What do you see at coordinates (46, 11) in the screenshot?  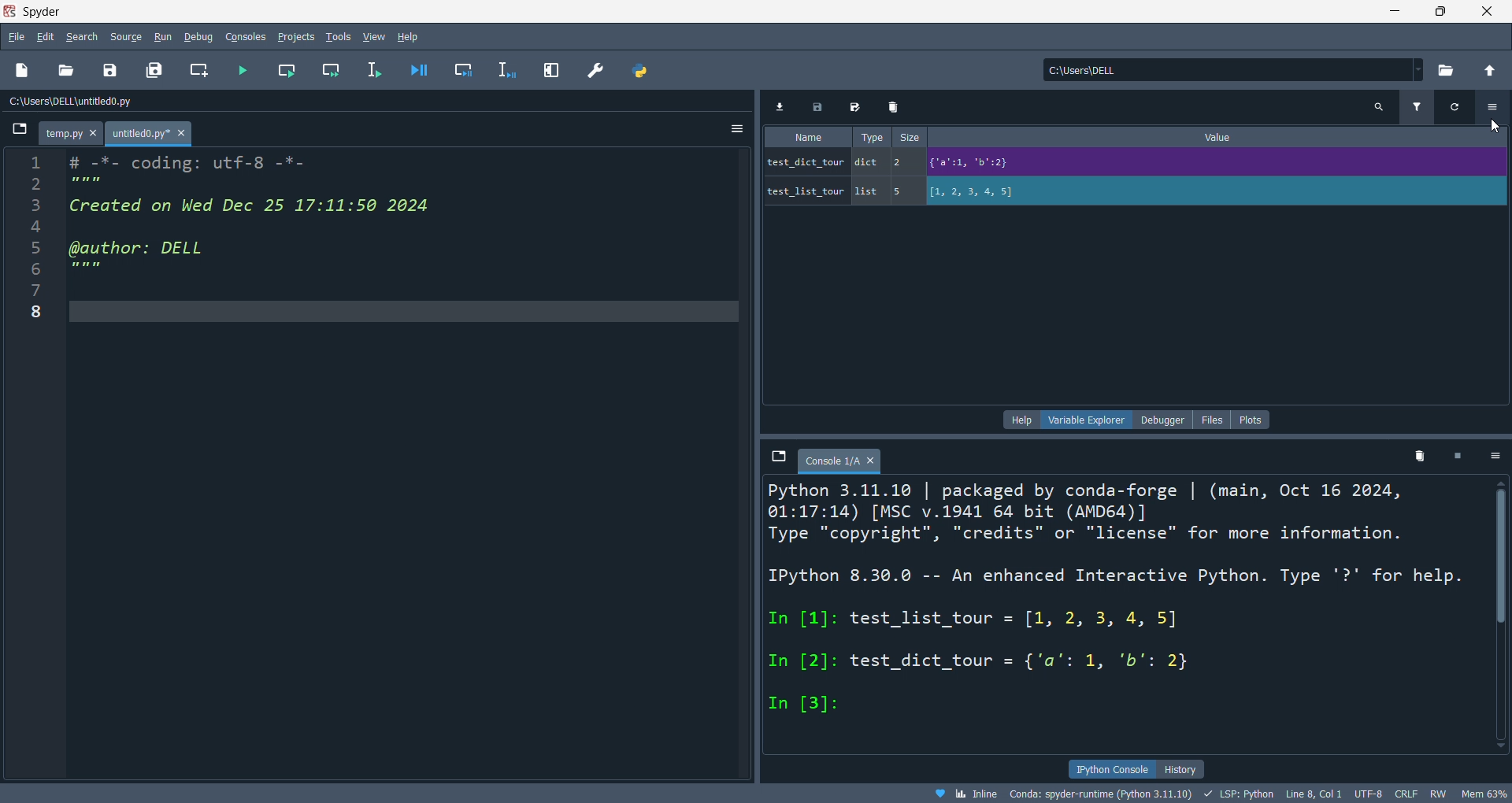 I see `SPYDER` at bounding box center [46, 11].